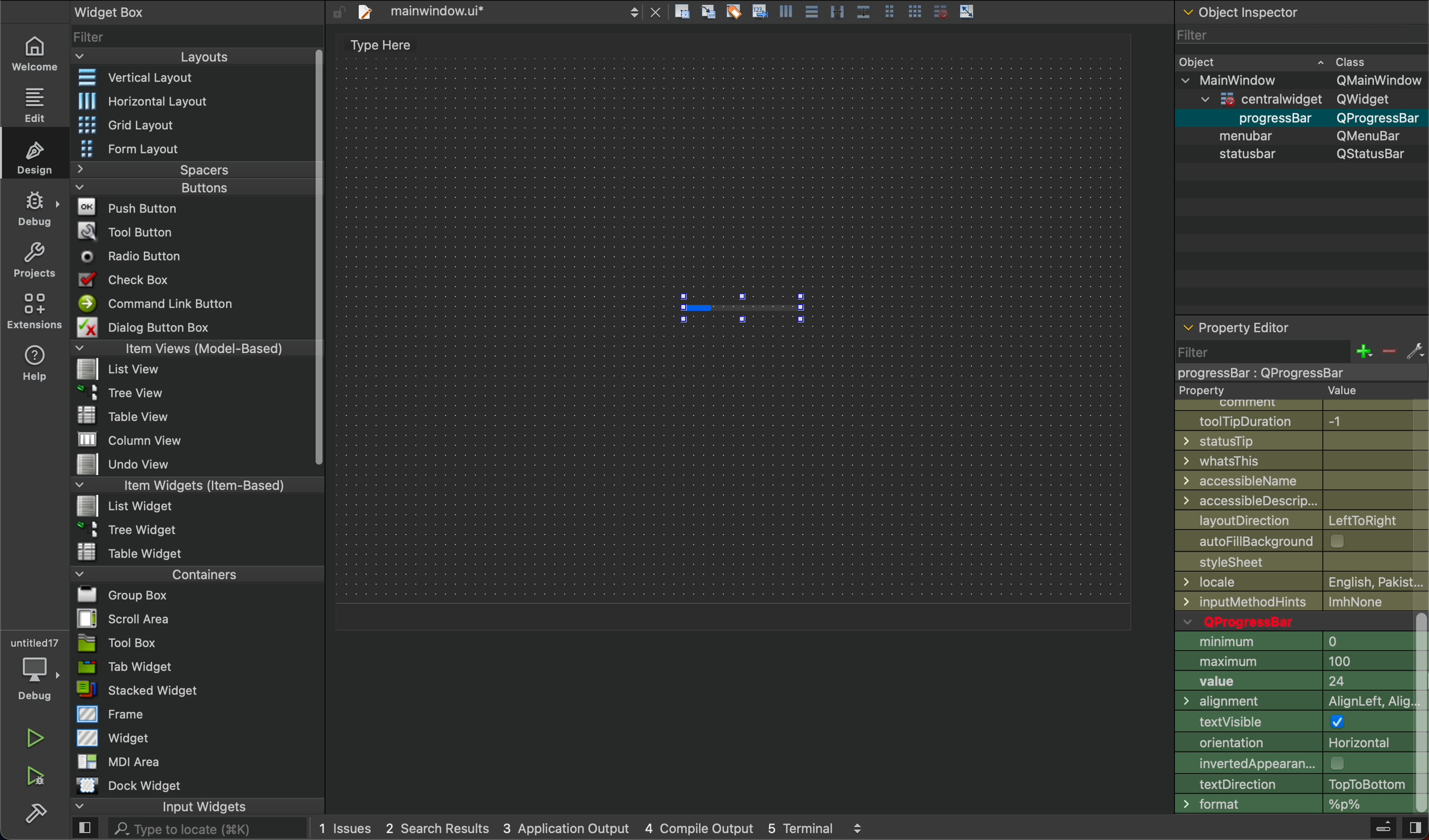 Image resolution: width=1429 pixels, height=840 pixels. Describe the element at coordinates (36, 738) in the screenshot. I see `run` at that location.